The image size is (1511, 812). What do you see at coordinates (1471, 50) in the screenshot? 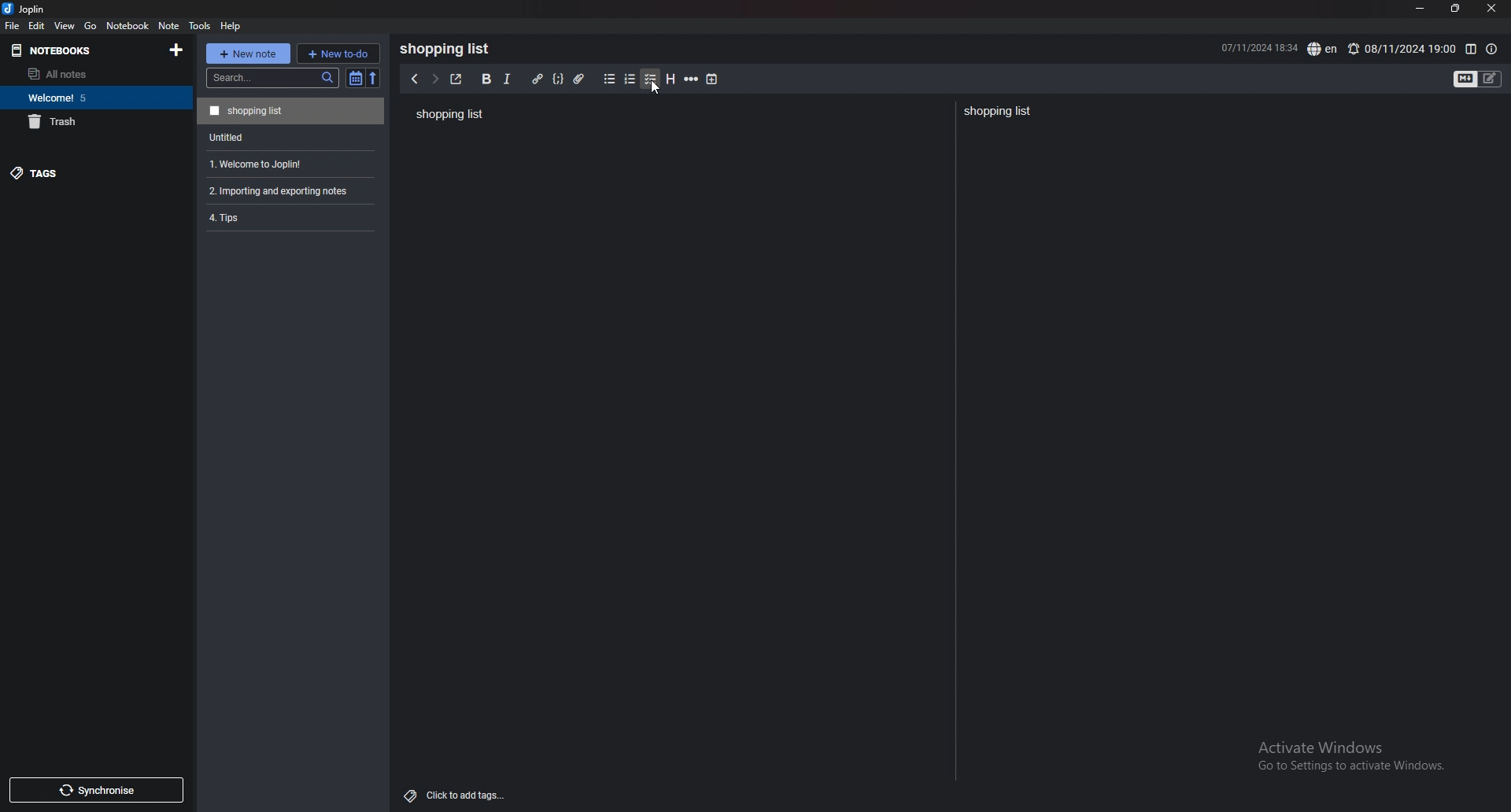
I see `toggle editor layout` at bounding box center [1471, 50].